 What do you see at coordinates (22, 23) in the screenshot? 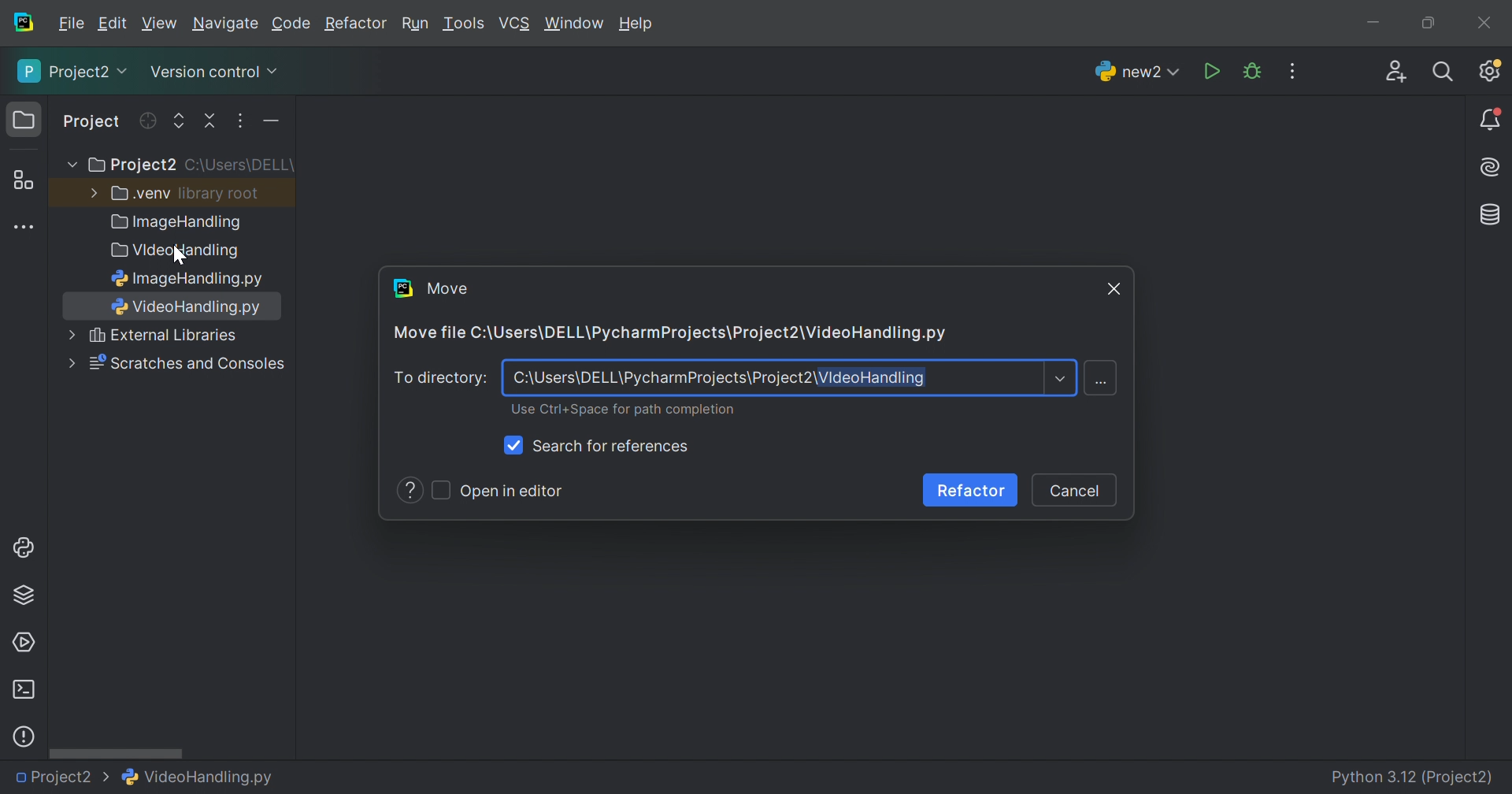
I see `PyCharm icon` at bounding box center [22, 23].